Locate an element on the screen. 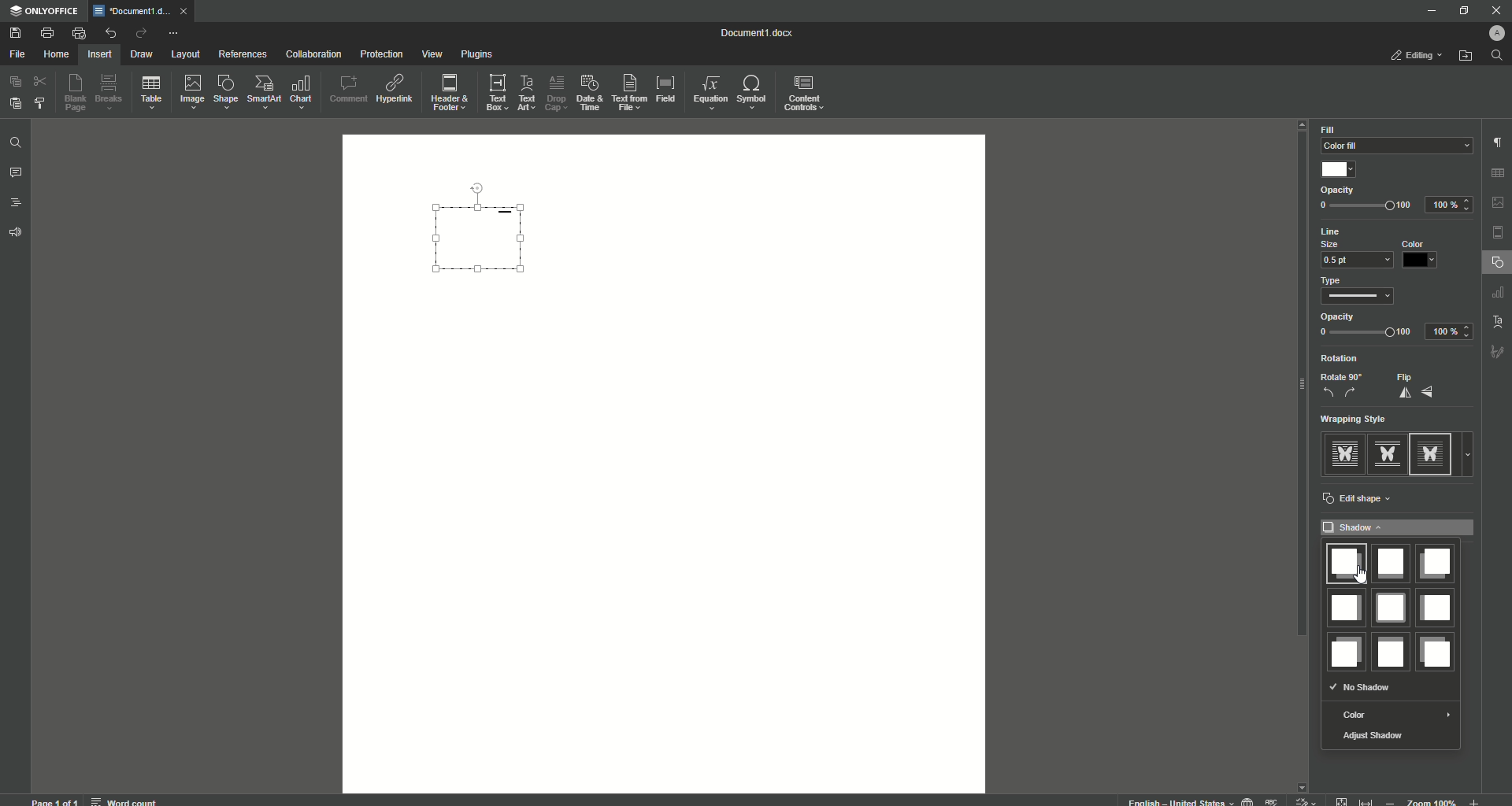 Image resolution: width=1512 pixels, height=806 pixels. Equation is located at coordinates (706, 91).